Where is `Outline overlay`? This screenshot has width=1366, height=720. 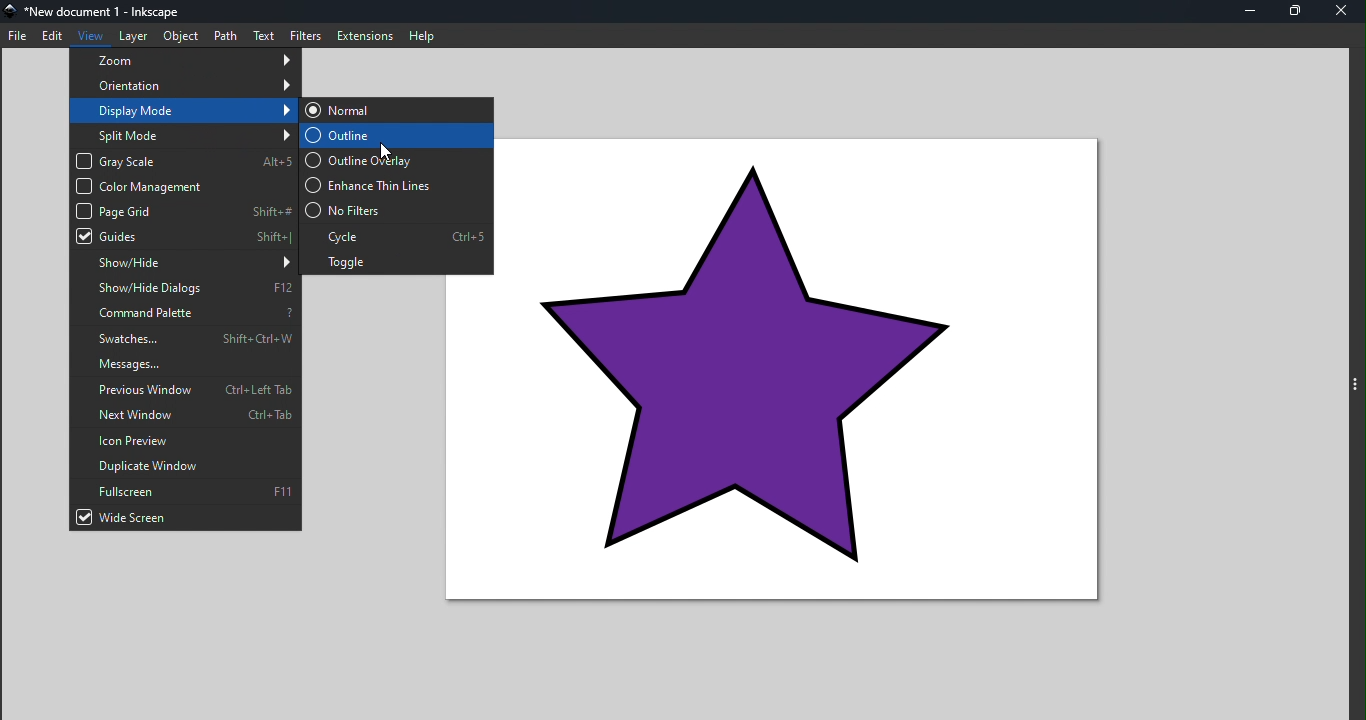 Outline overlay is located at coordinates (392, 161).